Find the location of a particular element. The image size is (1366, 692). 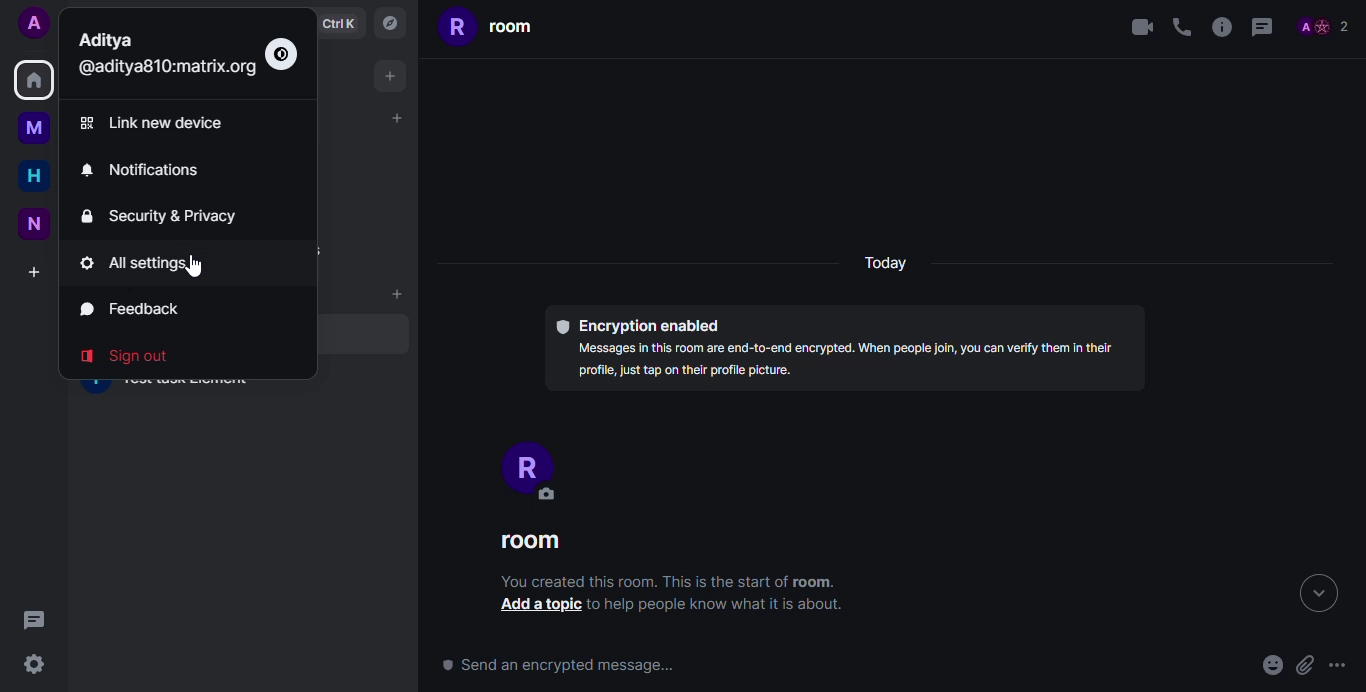

profile is located at coordinates (532, 468).